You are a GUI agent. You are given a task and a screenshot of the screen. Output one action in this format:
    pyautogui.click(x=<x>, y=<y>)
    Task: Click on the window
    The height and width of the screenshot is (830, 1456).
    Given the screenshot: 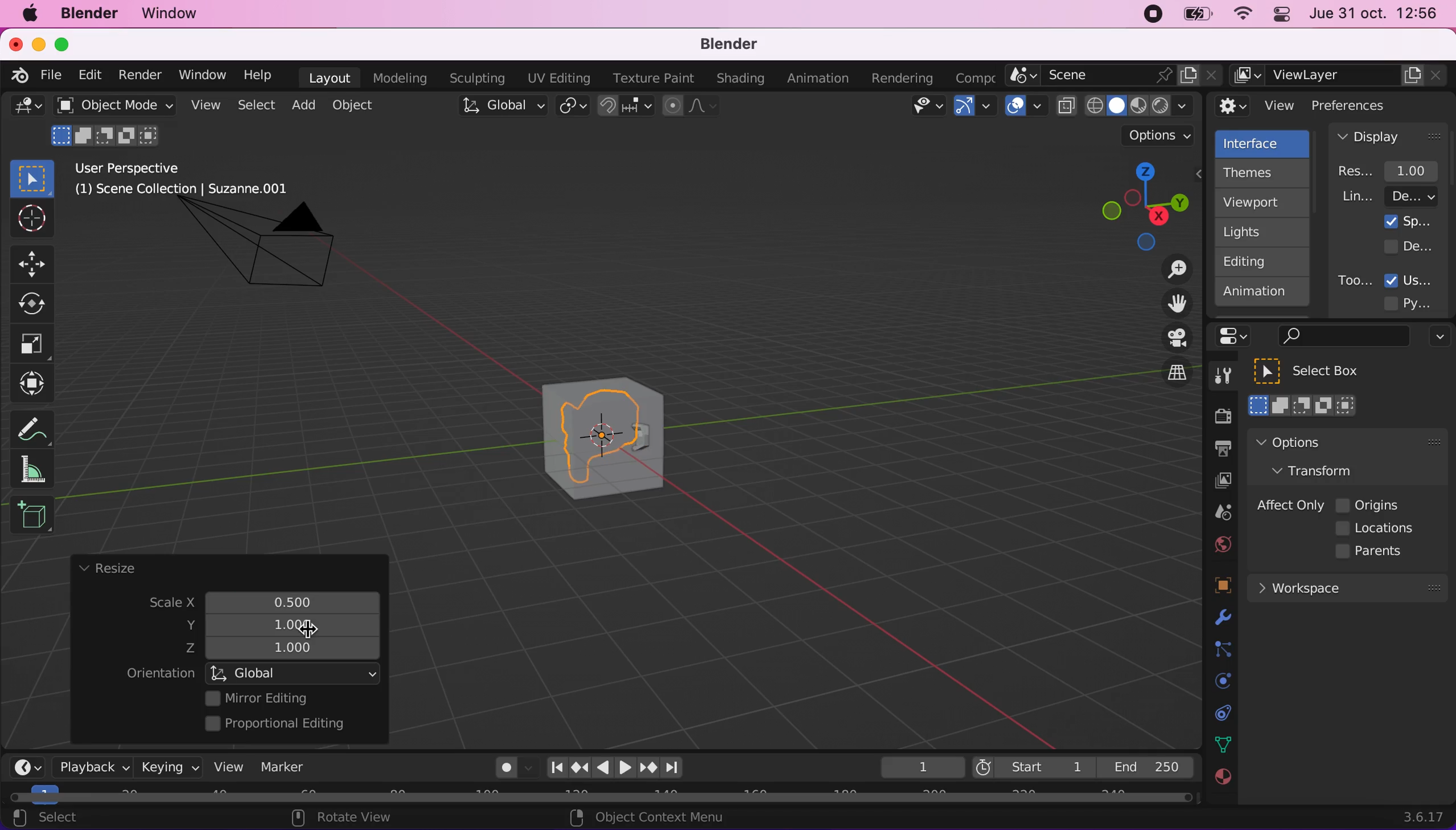 What is the action you would take?
    pyautogui.click(x=175, y=14)
    